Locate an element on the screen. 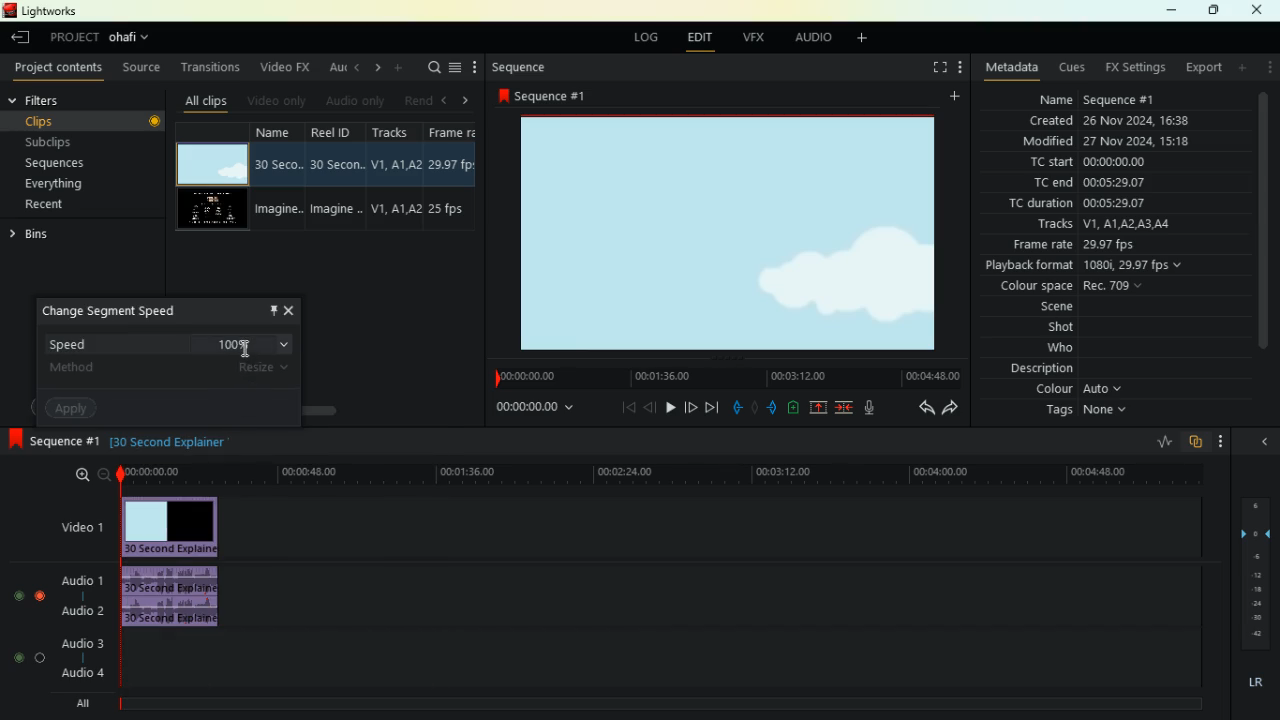 Image resolution: width=1280 pixels, height=720 pixels. back is located at coordinates (920, 407).